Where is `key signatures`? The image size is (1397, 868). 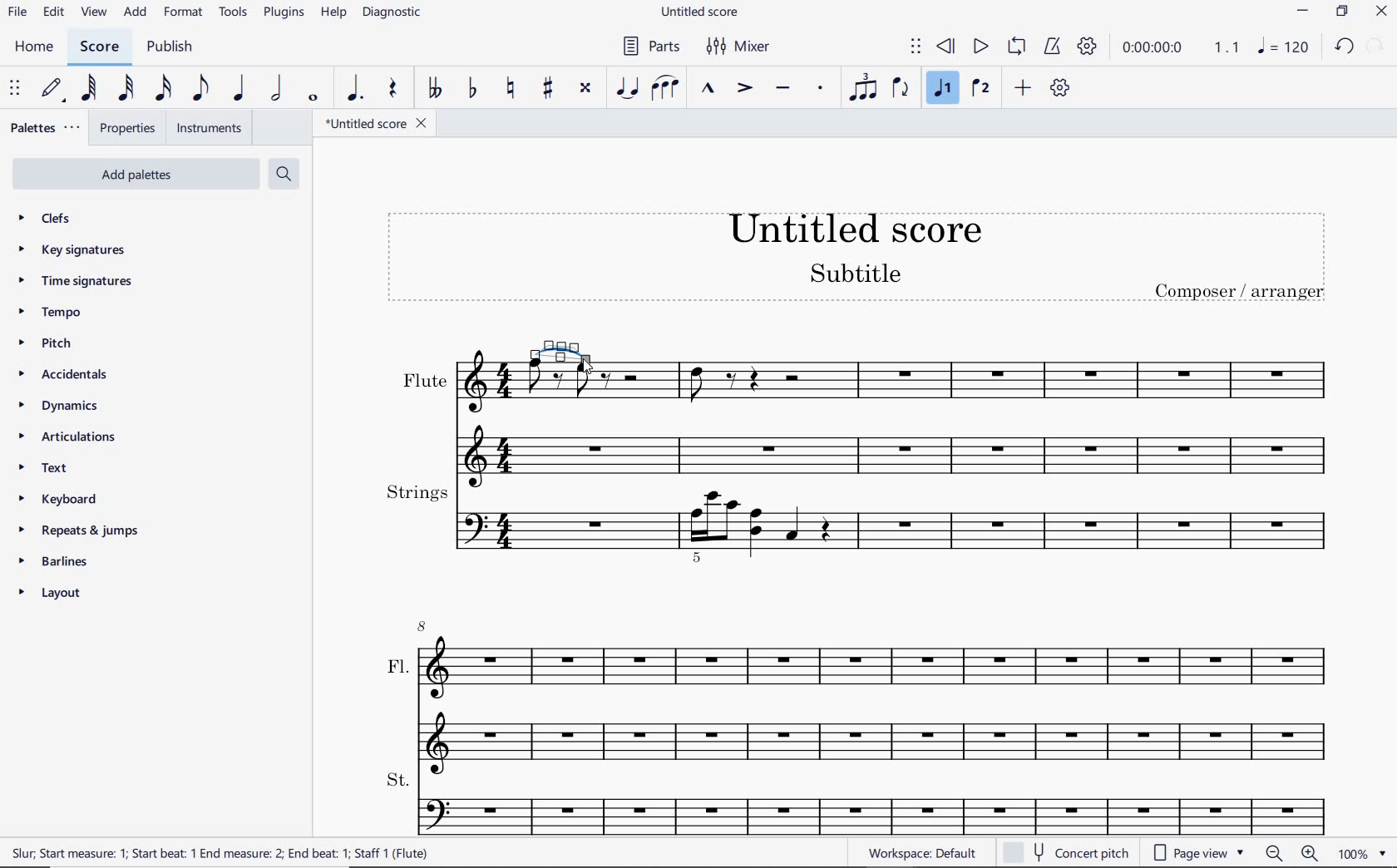
key signatures is located at coordinates (72, 250).